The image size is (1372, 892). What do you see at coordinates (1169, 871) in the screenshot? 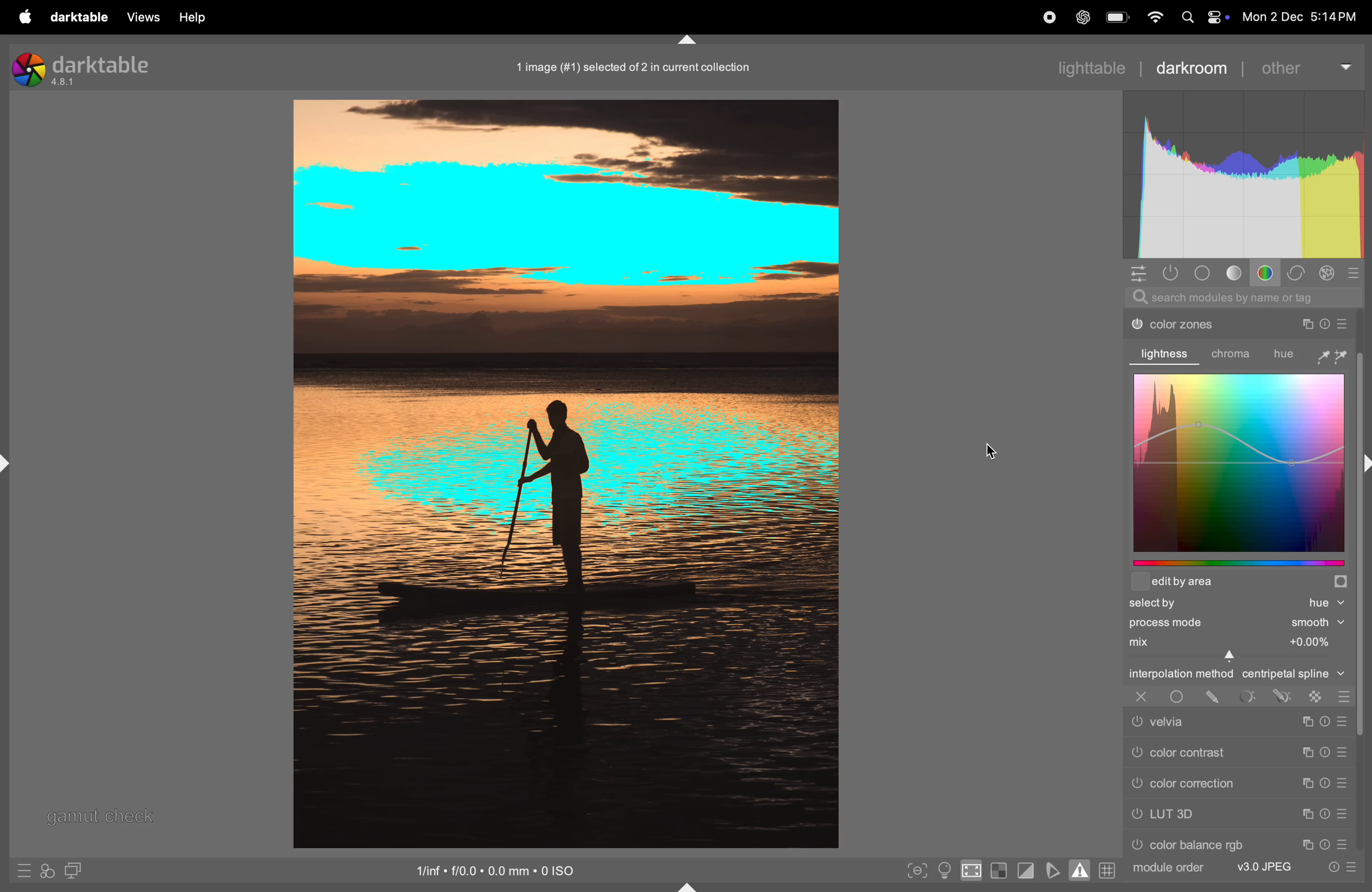
I see `module order` at bounding box center [1169, 871].